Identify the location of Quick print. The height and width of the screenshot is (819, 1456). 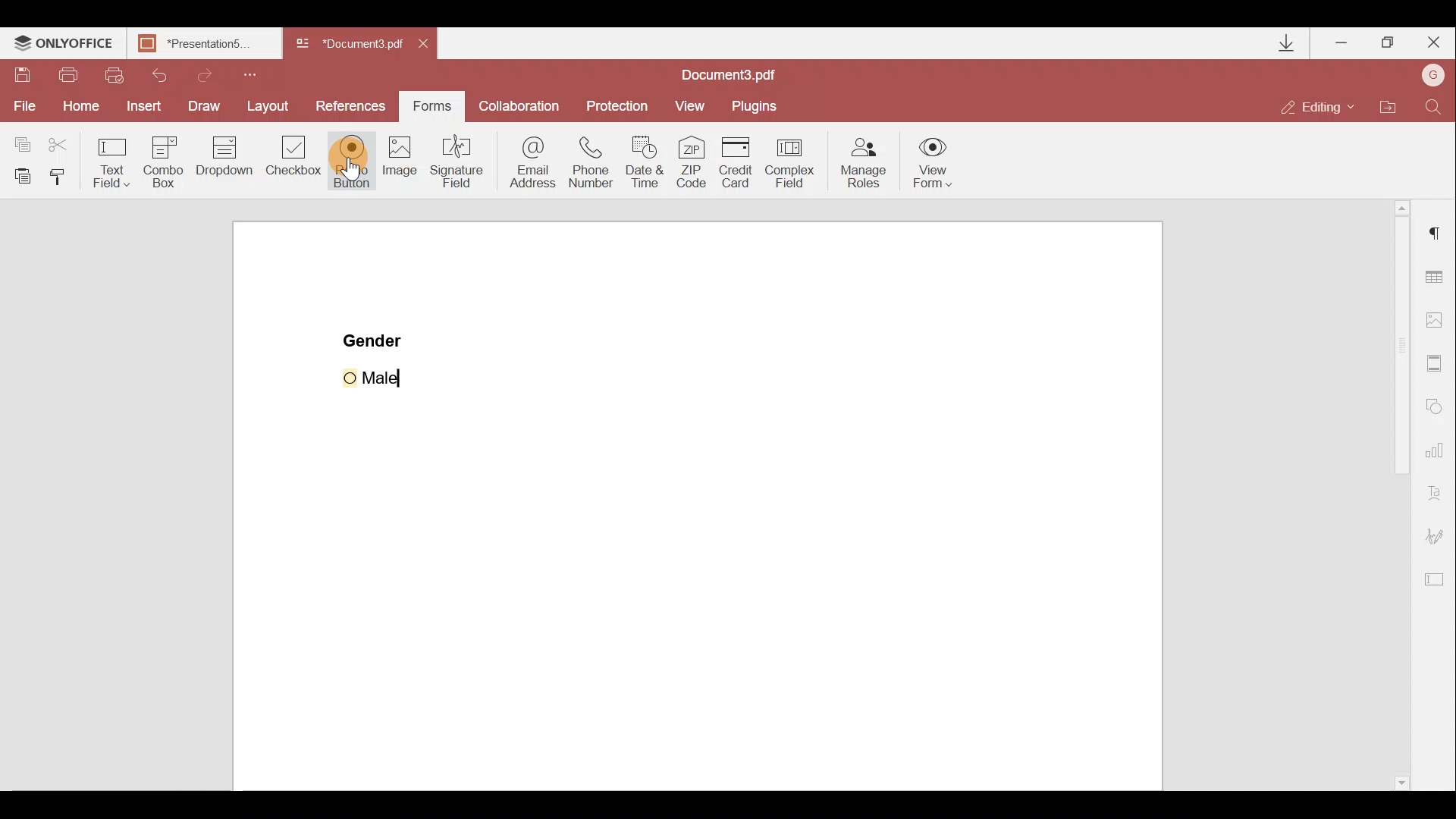
(120, 73).